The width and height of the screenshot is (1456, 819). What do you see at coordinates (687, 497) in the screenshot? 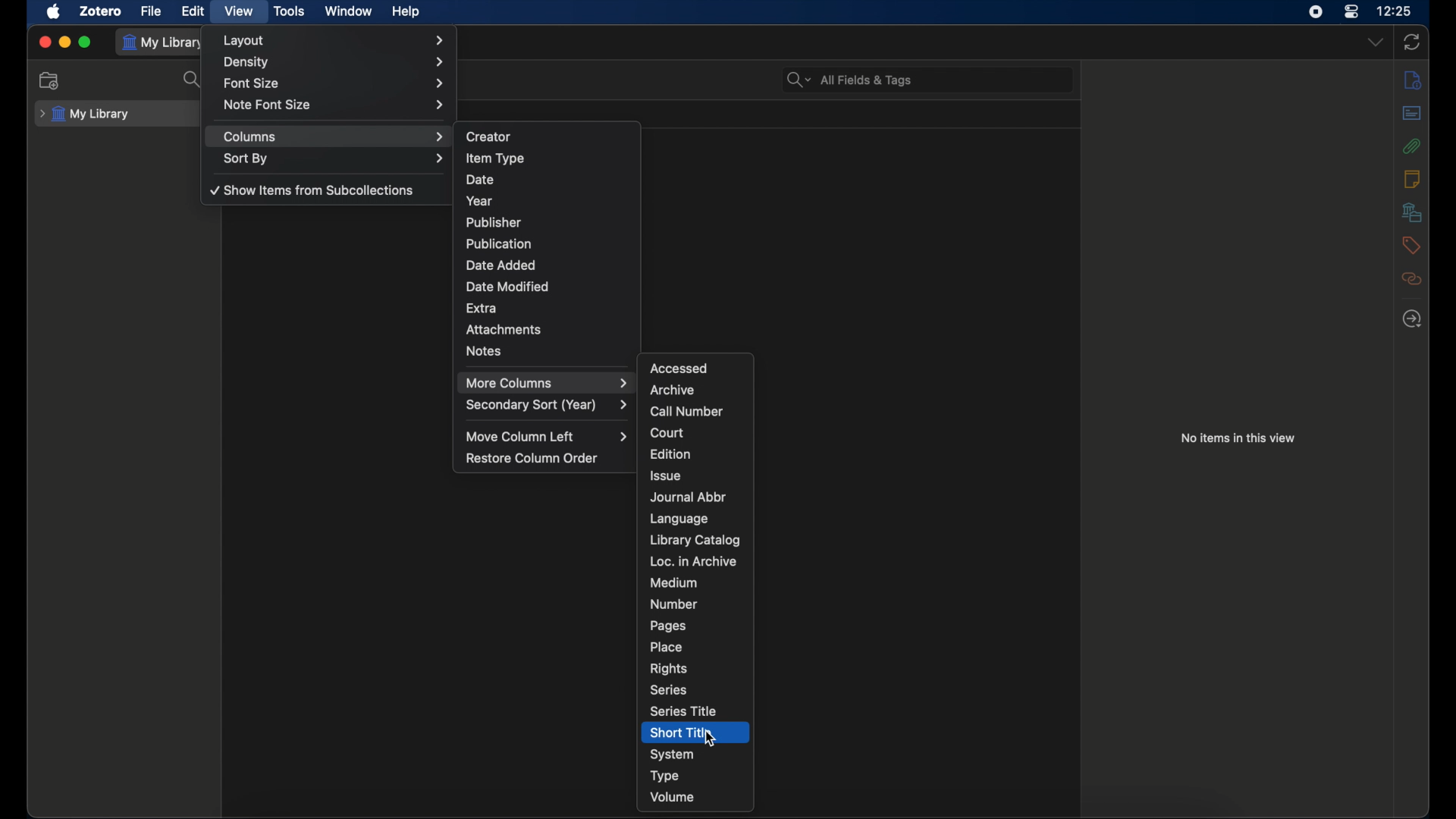
I see `journal abbr` at bounding box center [687, 497].